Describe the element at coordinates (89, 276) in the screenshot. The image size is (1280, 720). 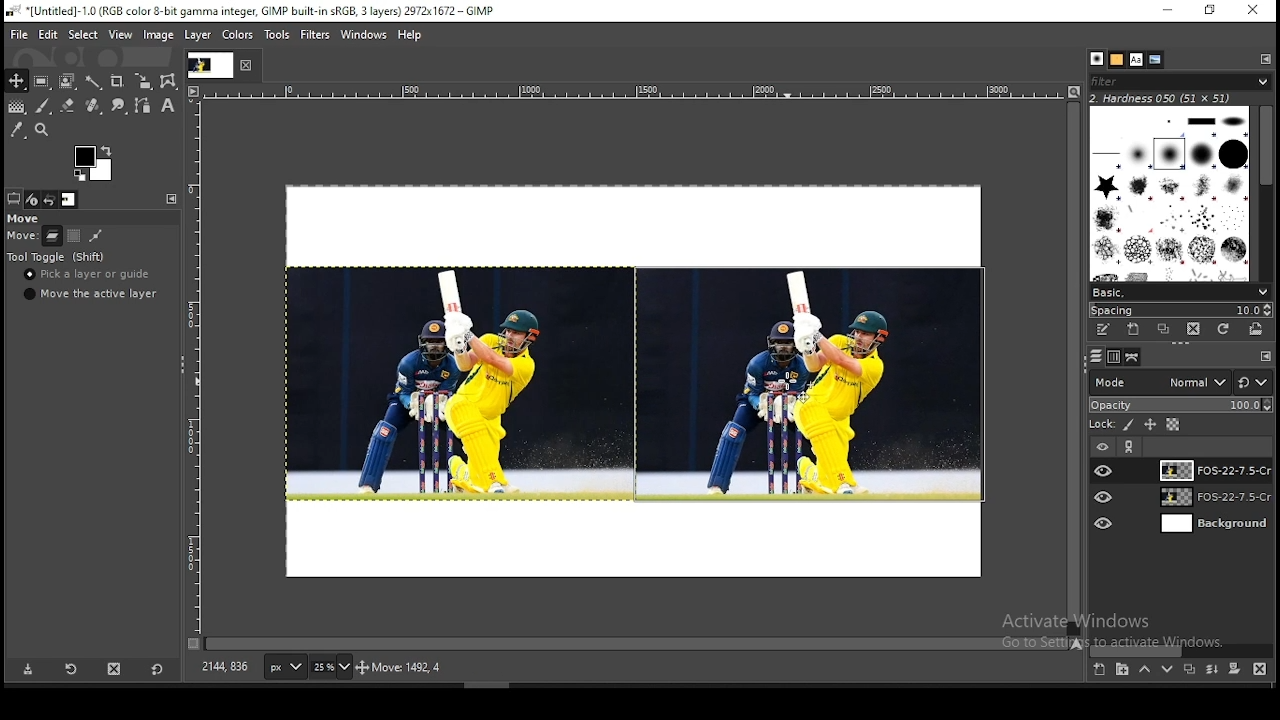
I see `pick a layer or guide` at that location.